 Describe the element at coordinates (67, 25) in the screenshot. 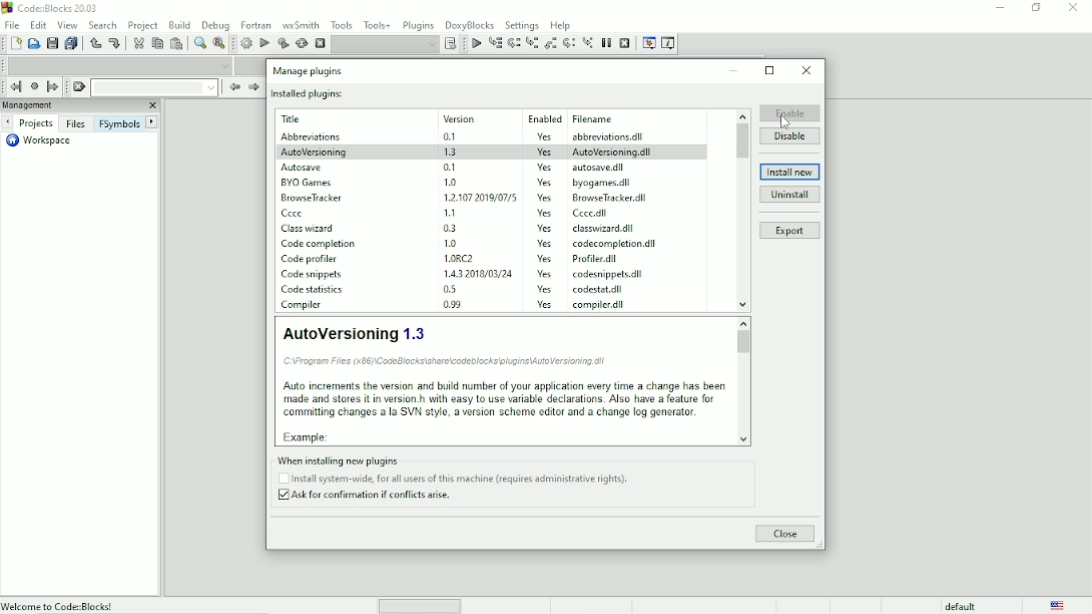

I see `View` at that location.